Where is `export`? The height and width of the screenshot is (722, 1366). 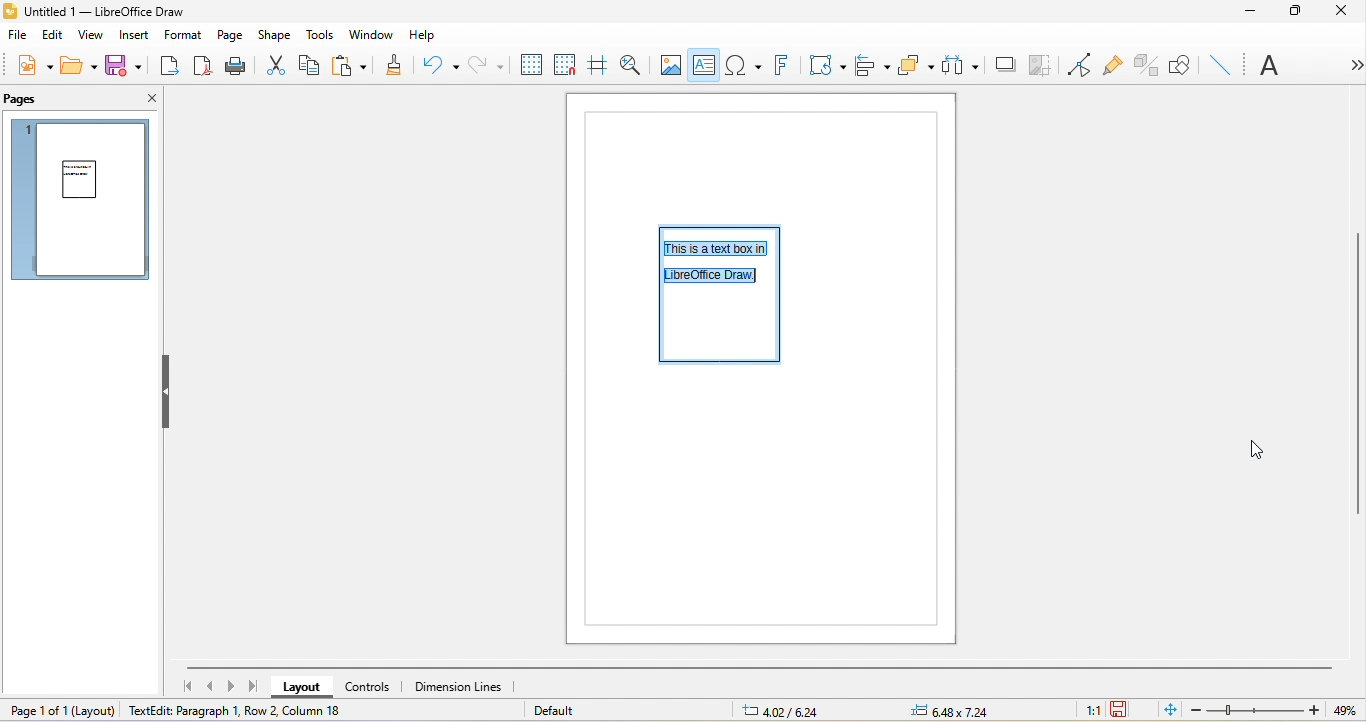
export is located at coordinates (173, 67).